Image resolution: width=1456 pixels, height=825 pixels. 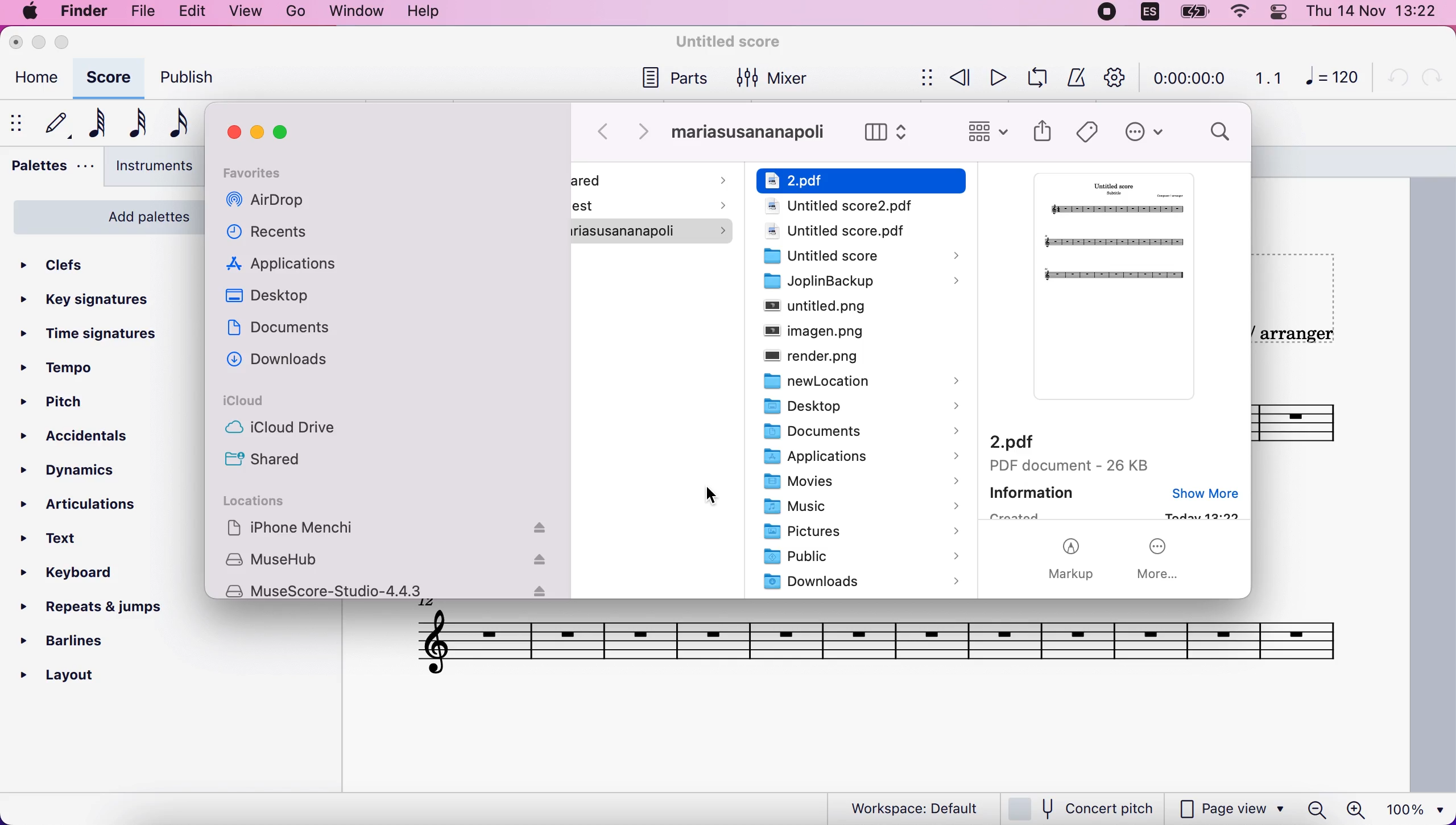 What do you see at coordinates (852, 207) in the screenshot?
I see `= Jhnuuceu sCoicc.pul` at bounding box center [852, 207].